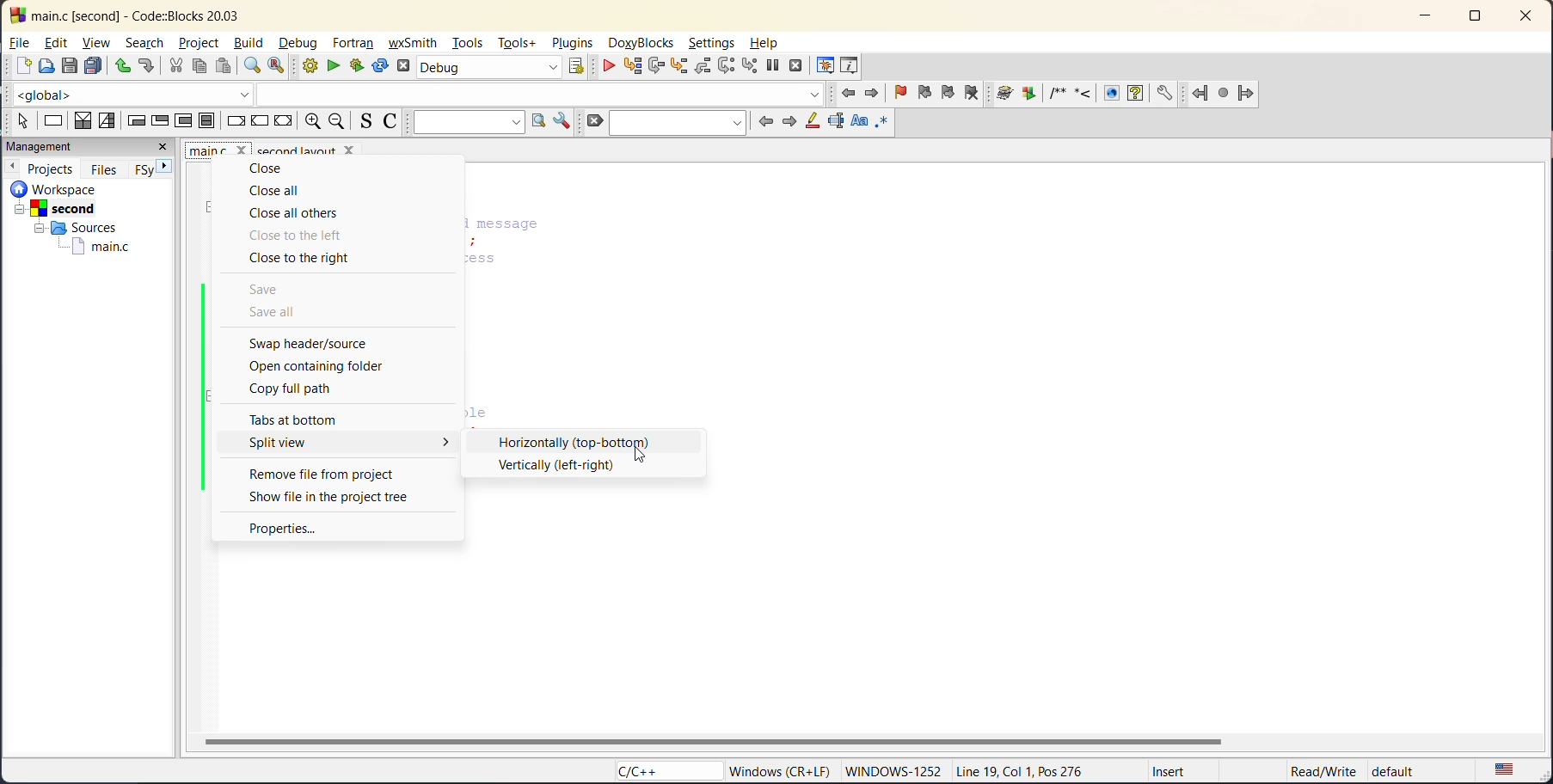 The image size is (1553, 784). Describe the element at coordinates (656, 67) in the screenshot. I see `next line` at that location.